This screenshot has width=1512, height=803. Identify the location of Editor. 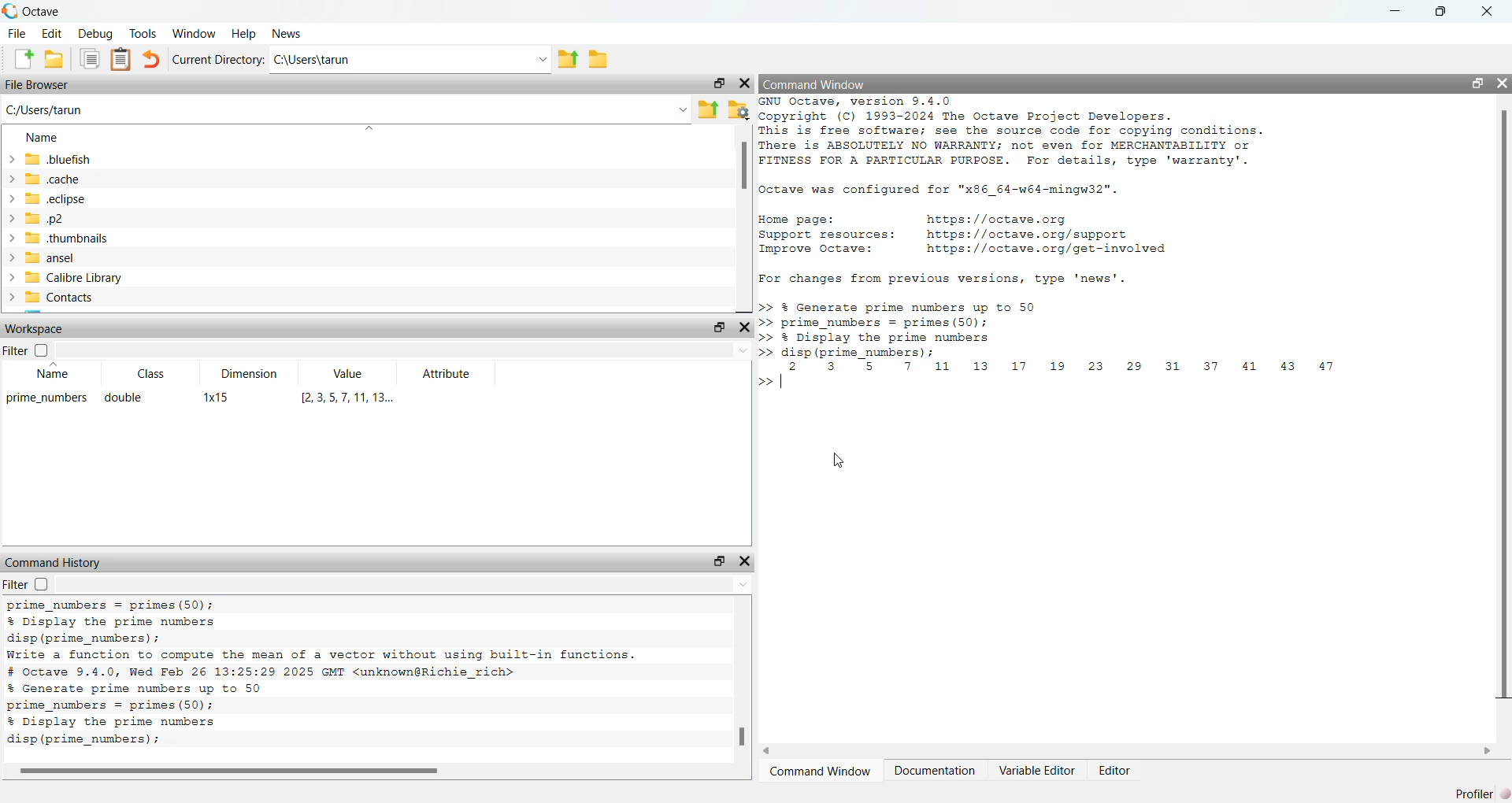
(1117, 771).